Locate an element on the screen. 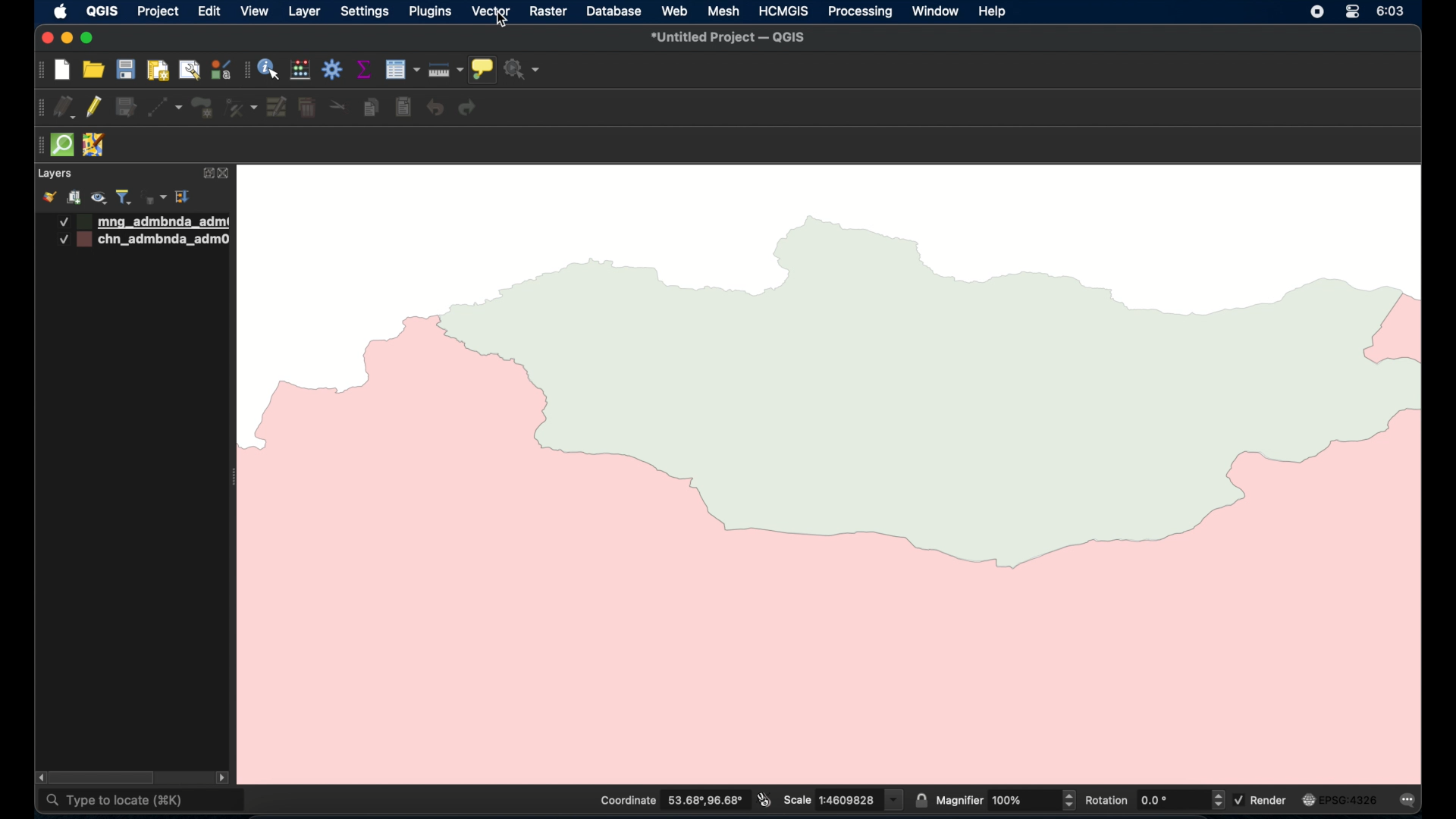 This screenshot has height=819, width=1456. help is located at coordinates (993, 12).